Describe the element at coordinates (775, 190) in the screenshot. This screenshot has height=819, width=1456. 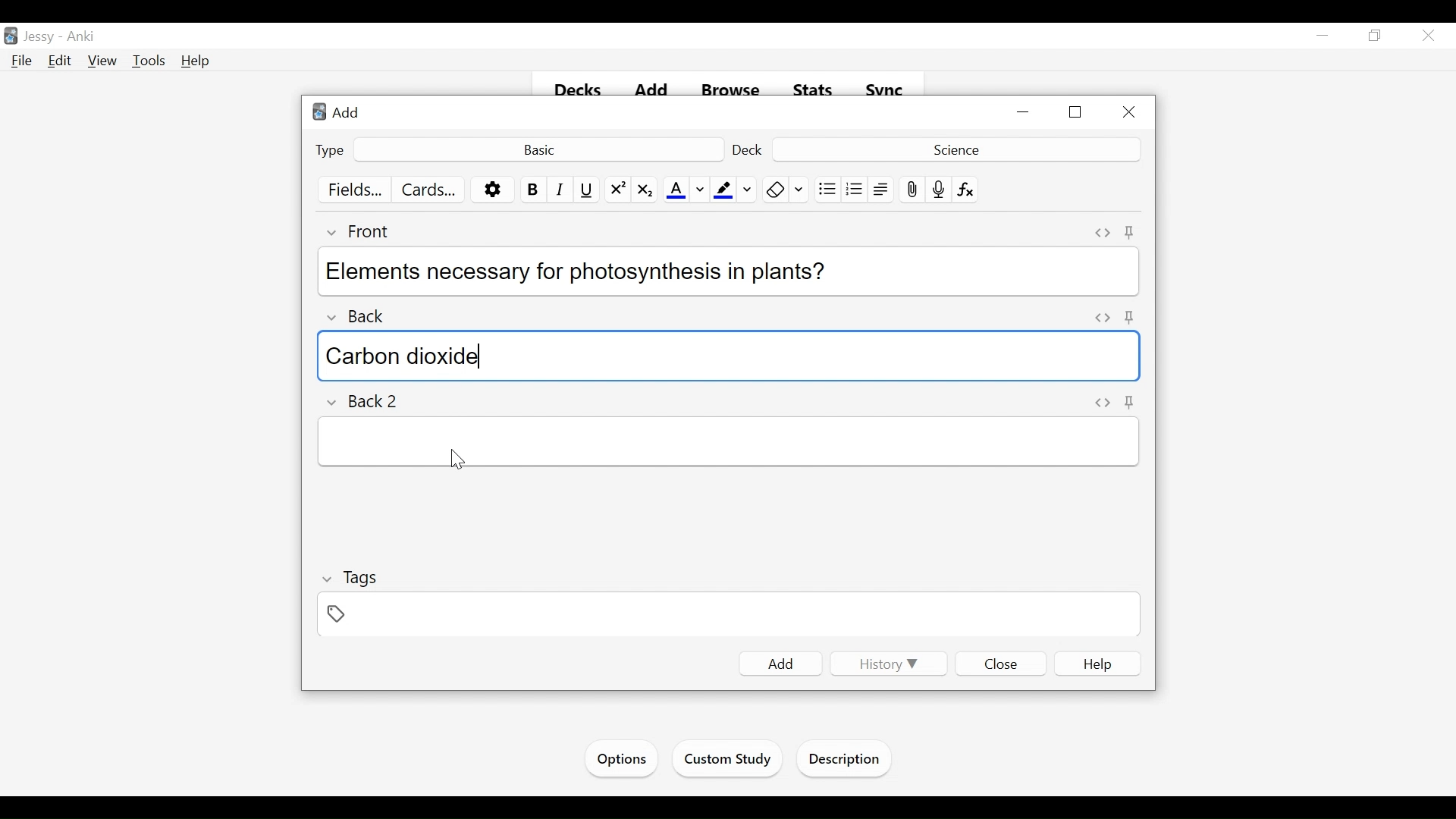
I see `Remove Formatting` at that location.